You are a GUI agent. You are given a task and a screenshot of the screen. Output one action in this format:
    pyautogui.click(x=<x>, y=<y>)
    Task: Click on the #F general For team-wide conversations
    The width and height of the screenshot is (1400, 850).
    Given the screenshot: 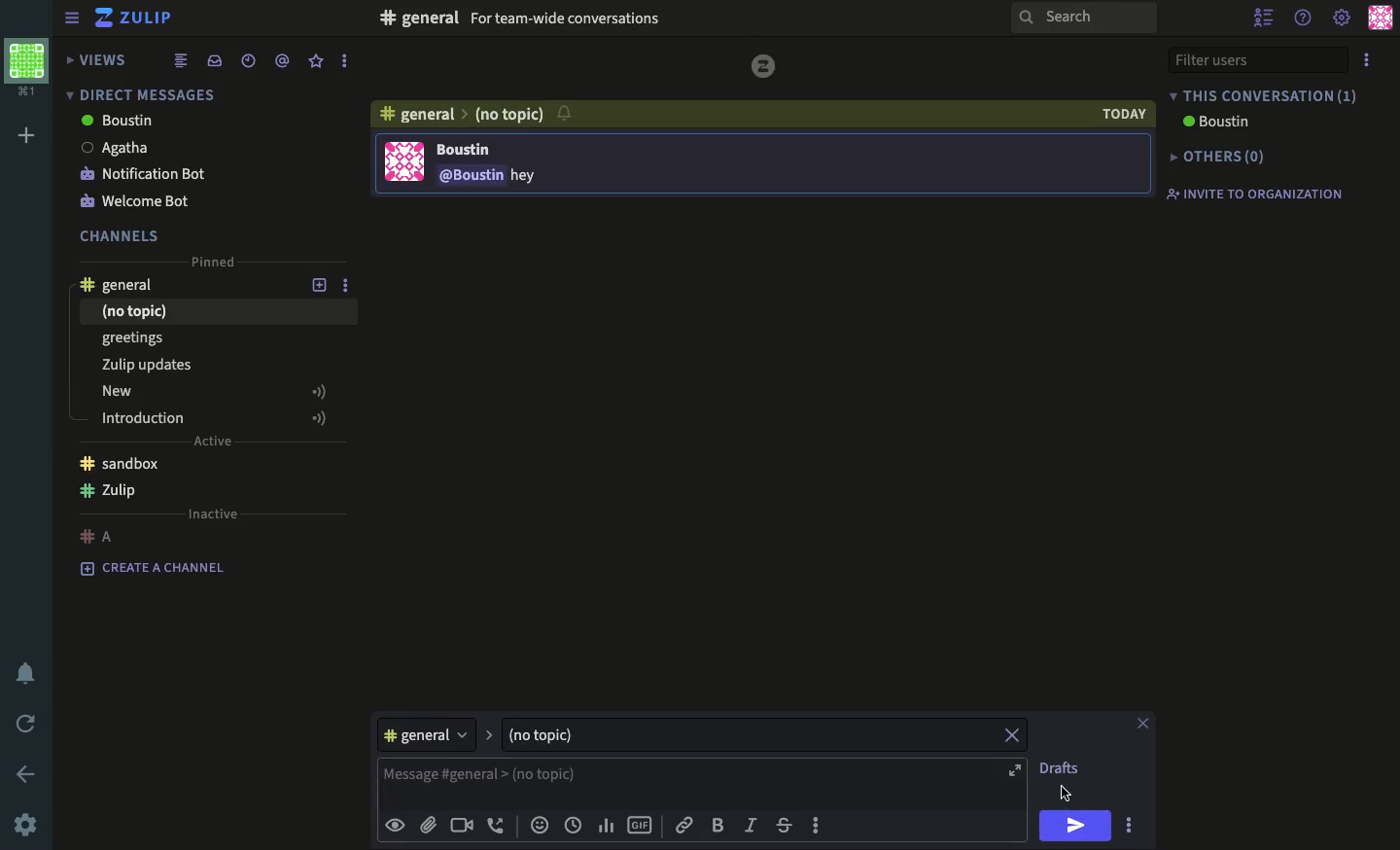 What is the action you would take?
    pyautogui.click(x=607, y=17)
    